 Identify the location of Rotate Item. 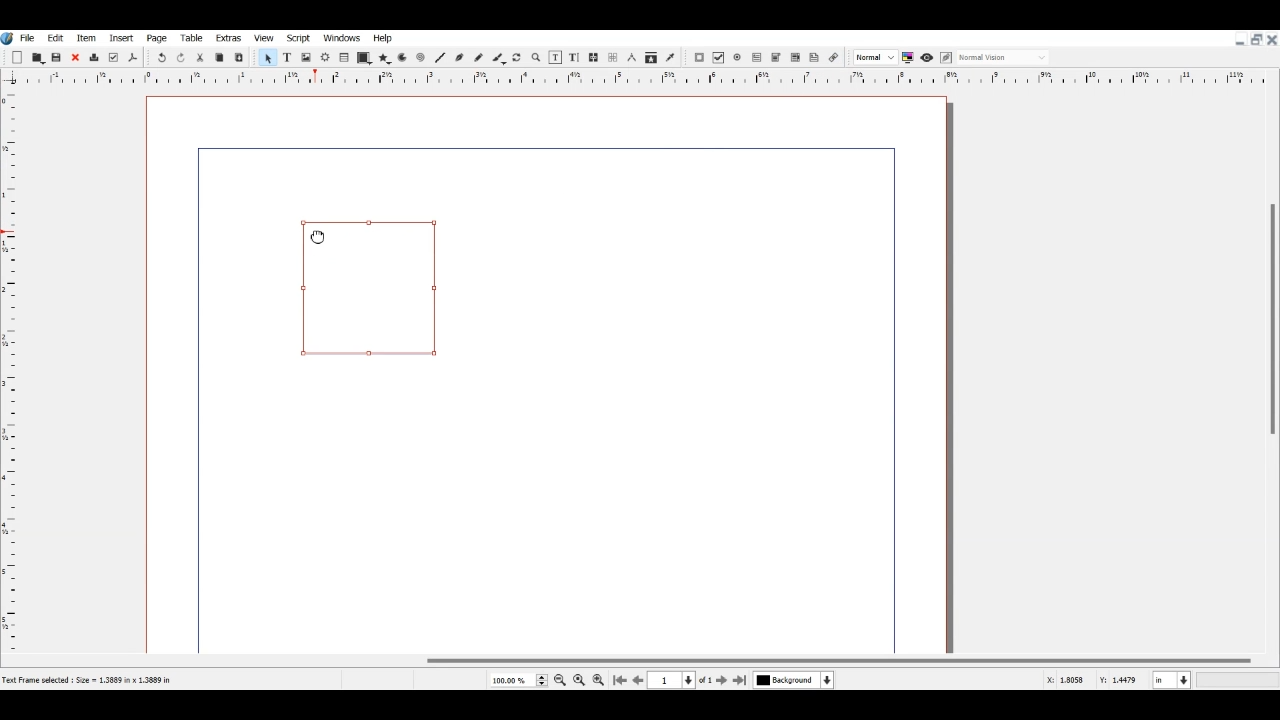
(518, 58).